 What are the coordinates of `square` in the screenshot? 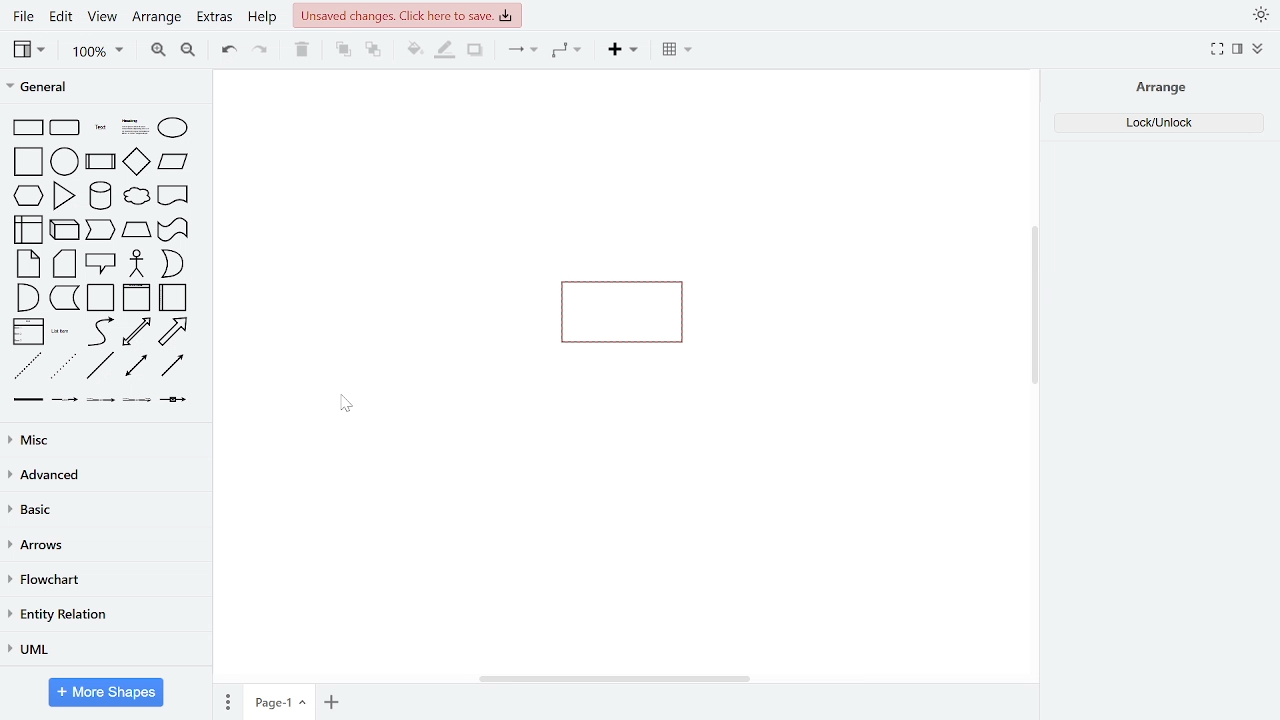 It's located at (27, 162).